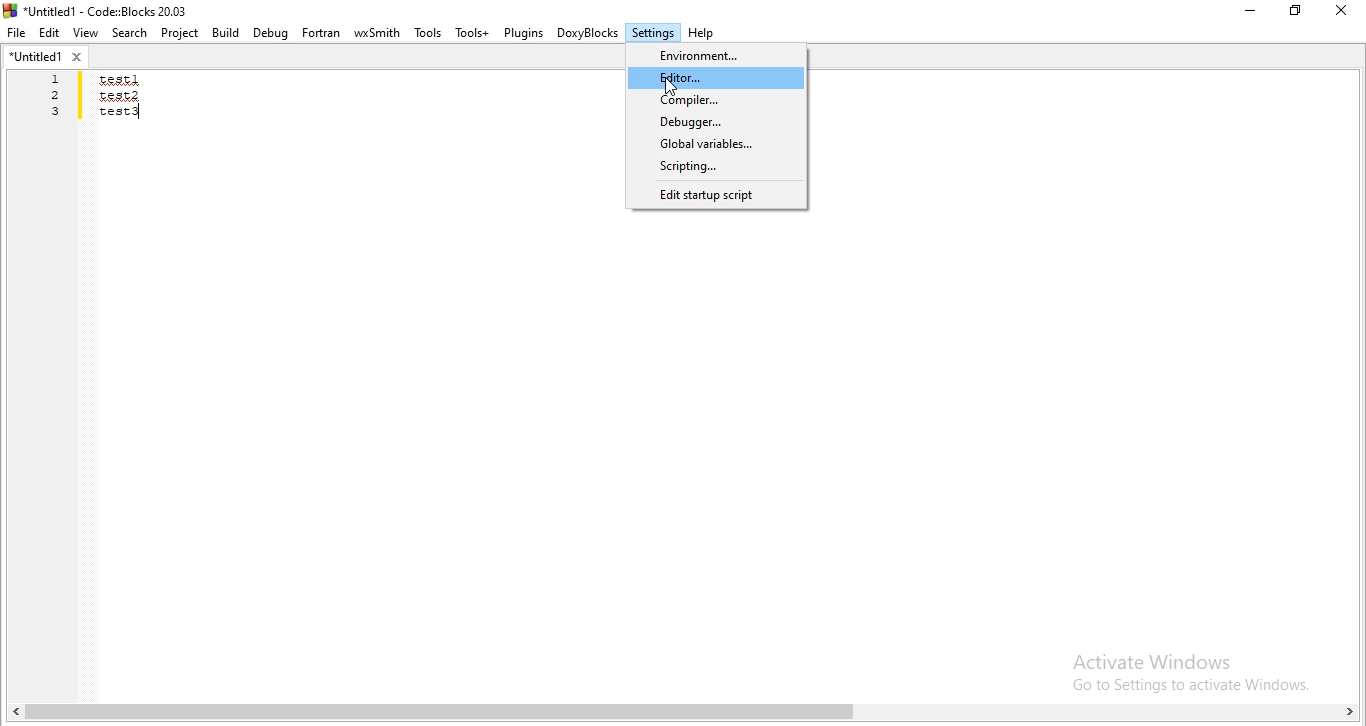 The width and height of the screenshot is (1366, 726). Describe the element at coordinates (714, 167) in the screenshot. I see `Scripting` at that location.